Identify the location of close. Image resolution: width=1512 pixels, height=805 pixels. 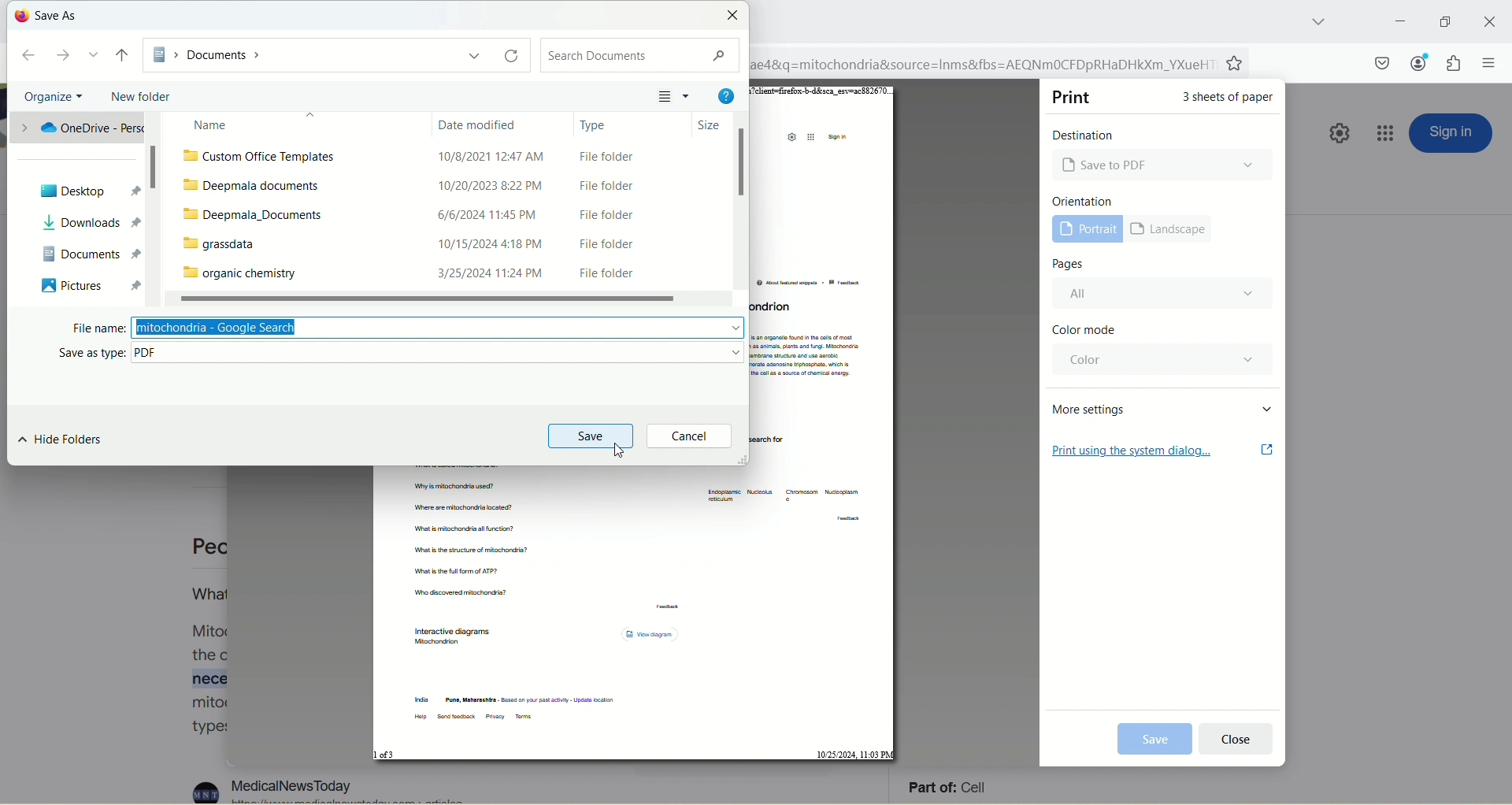
(1487, 21).